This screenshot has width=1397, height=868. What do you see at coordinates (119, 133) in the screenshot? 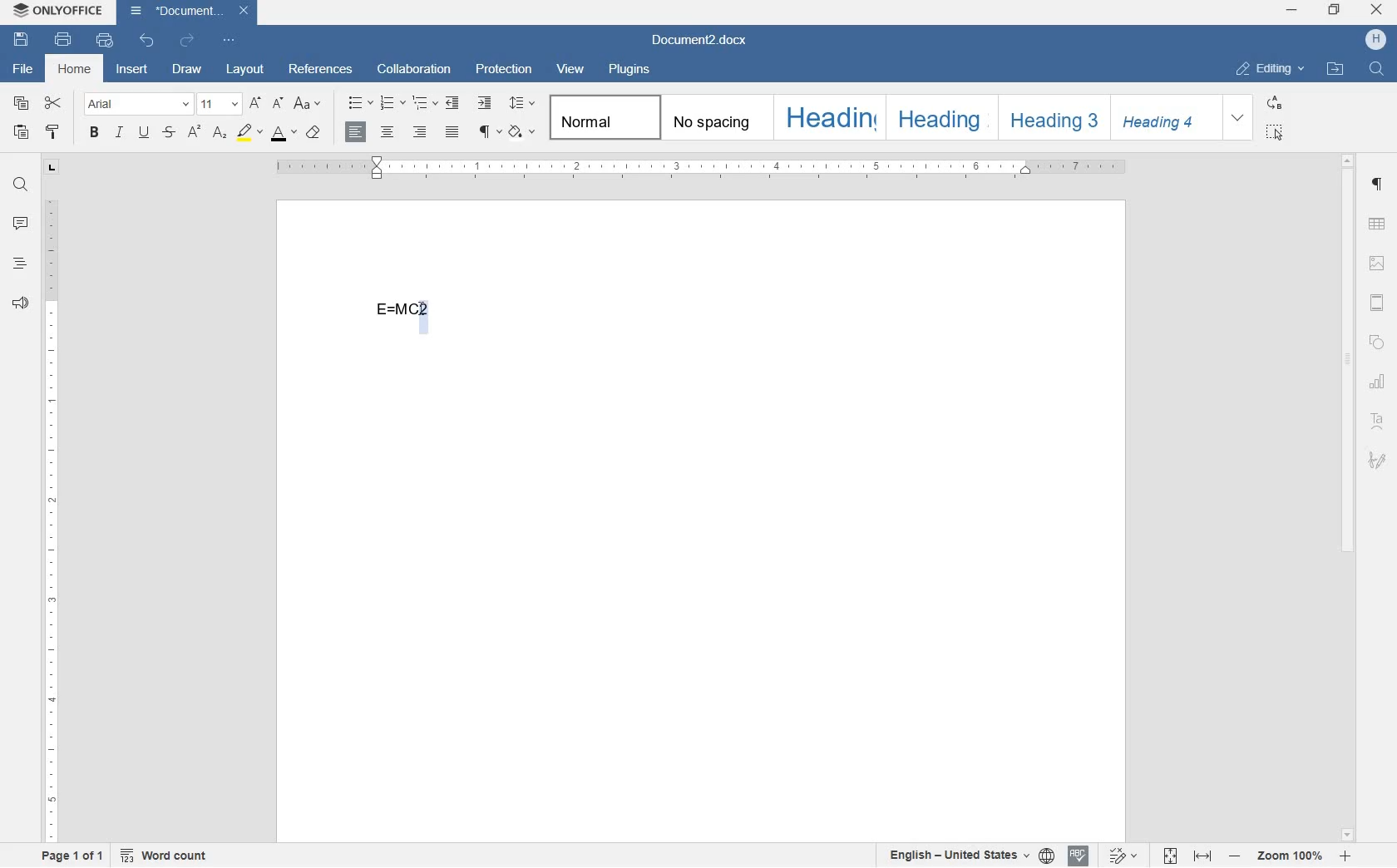
I see `italic` at bounding box center [119, 133].